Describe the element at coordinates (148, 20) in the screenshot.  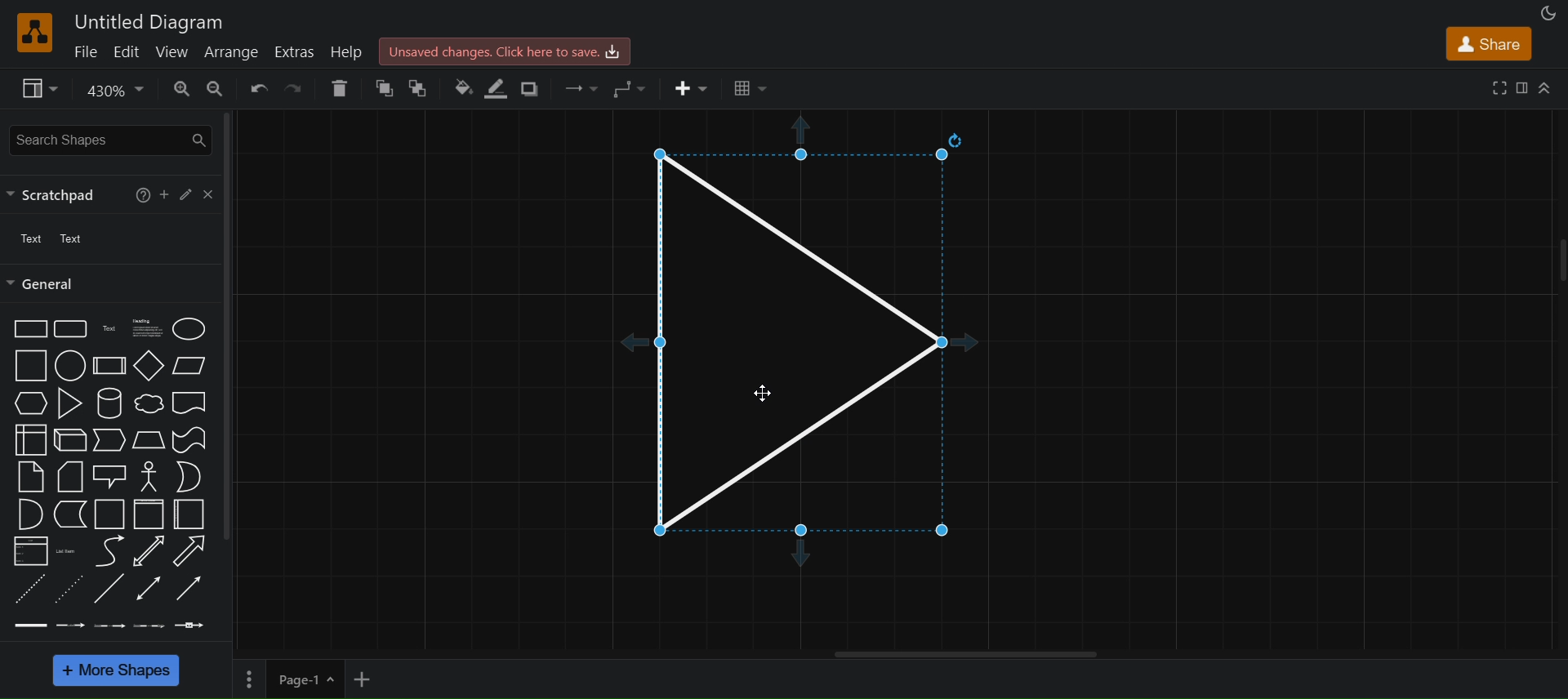
I see `Untitled Diagram` at that location.